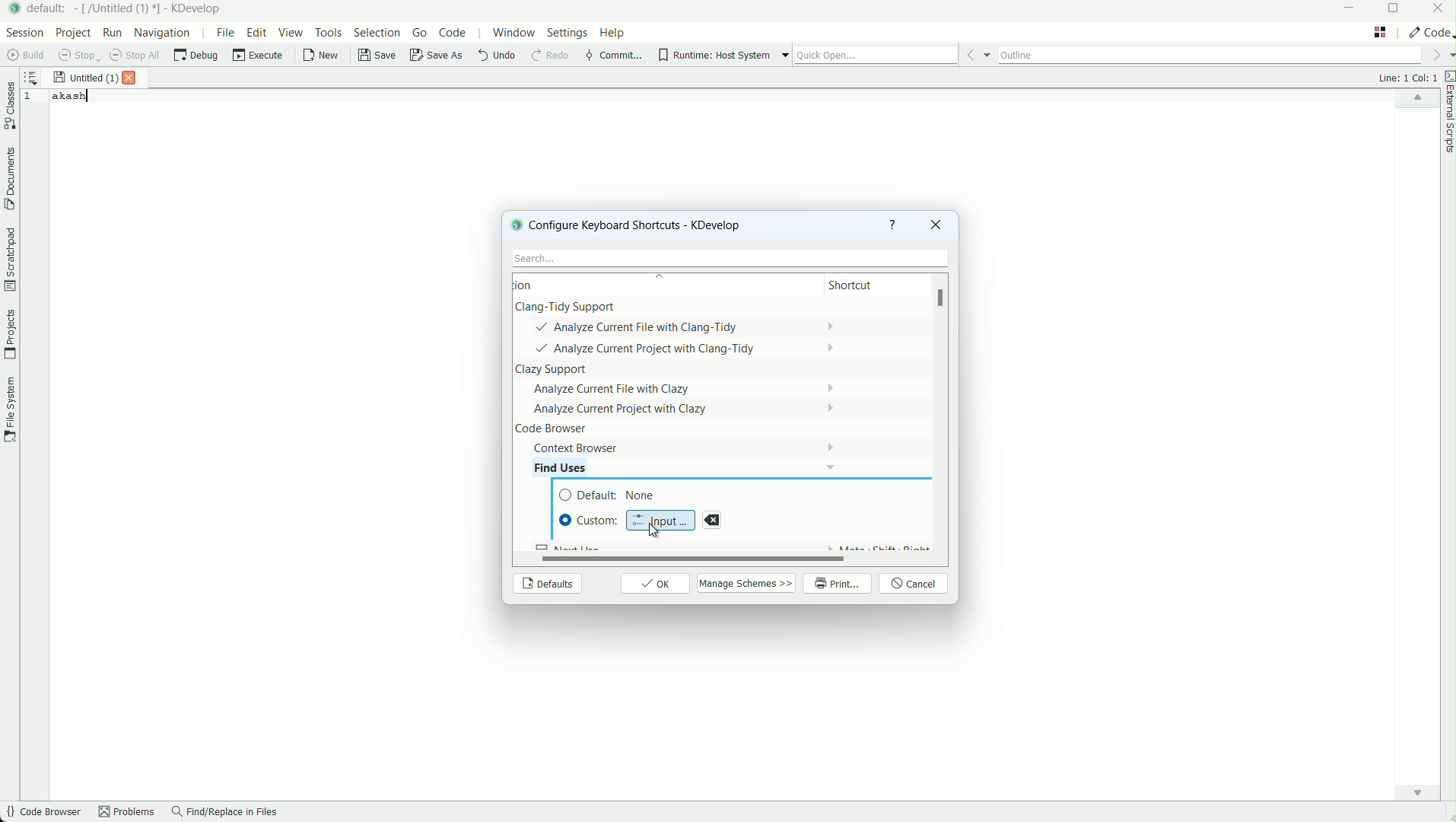  I want to click on scratchpad, so click(9, 259).